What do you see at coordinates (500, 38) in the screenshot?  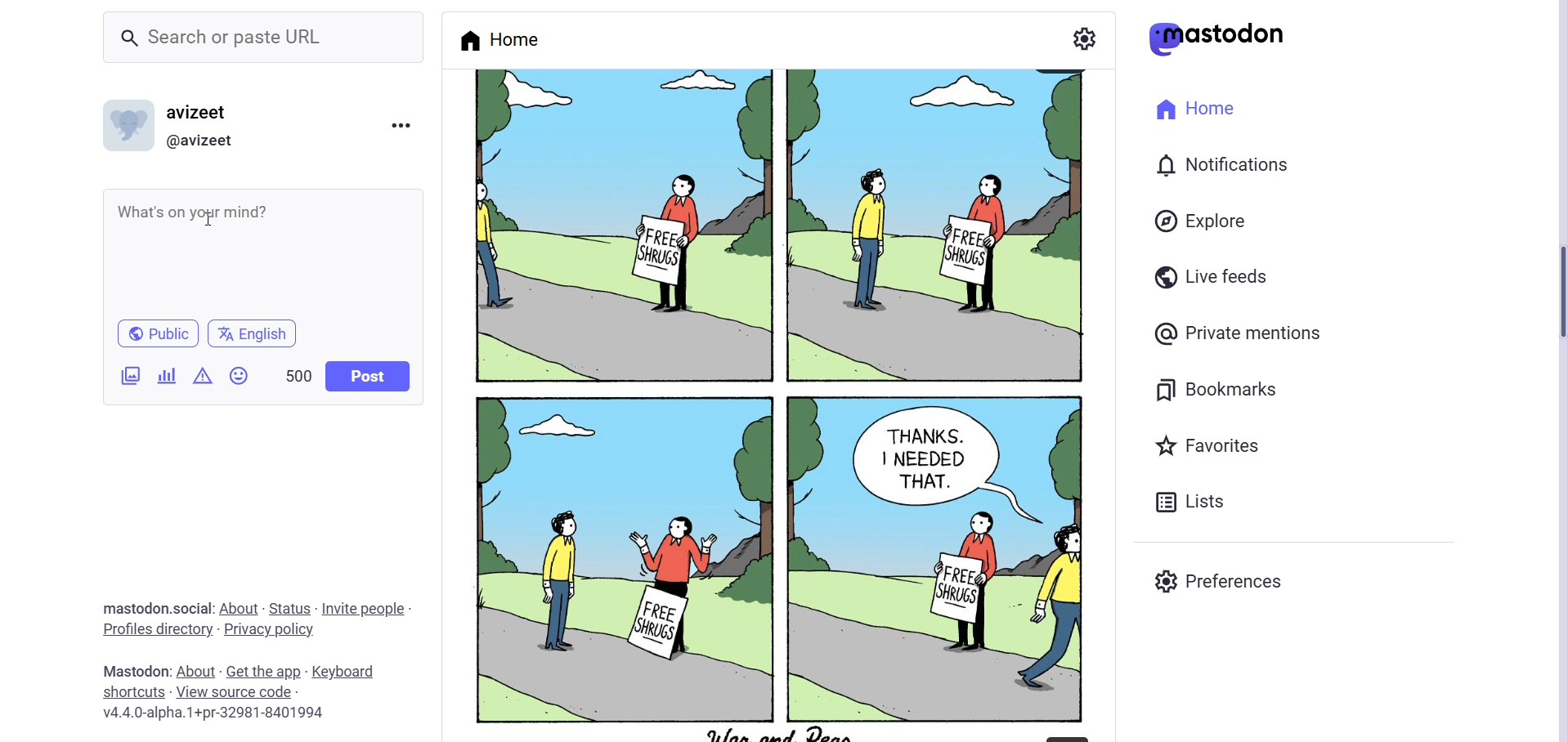 I see `Home` at bounding box center [500, 38].